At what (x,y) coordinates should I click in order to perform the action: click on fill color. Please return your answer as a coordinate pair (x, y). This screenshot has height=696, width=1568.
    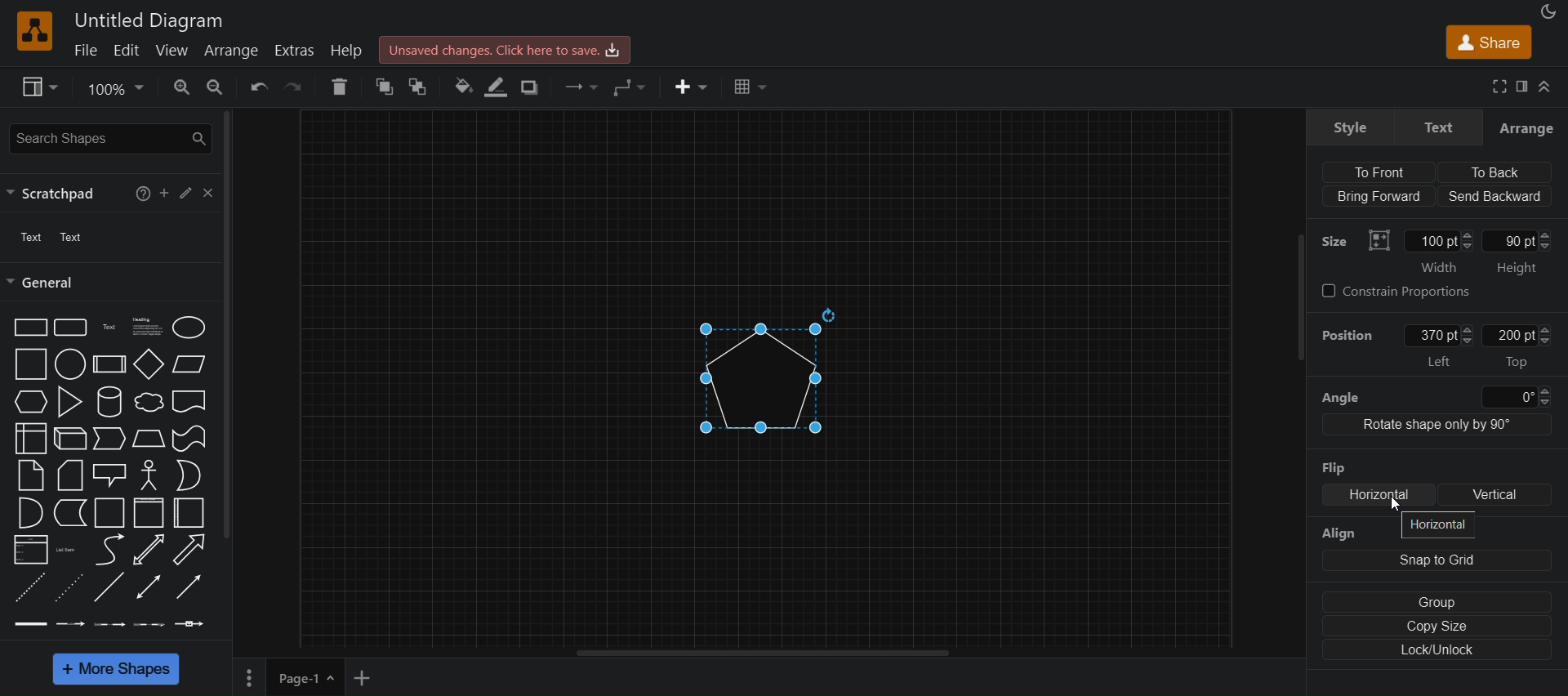
    Looking at the image, I should click on (461, 86).